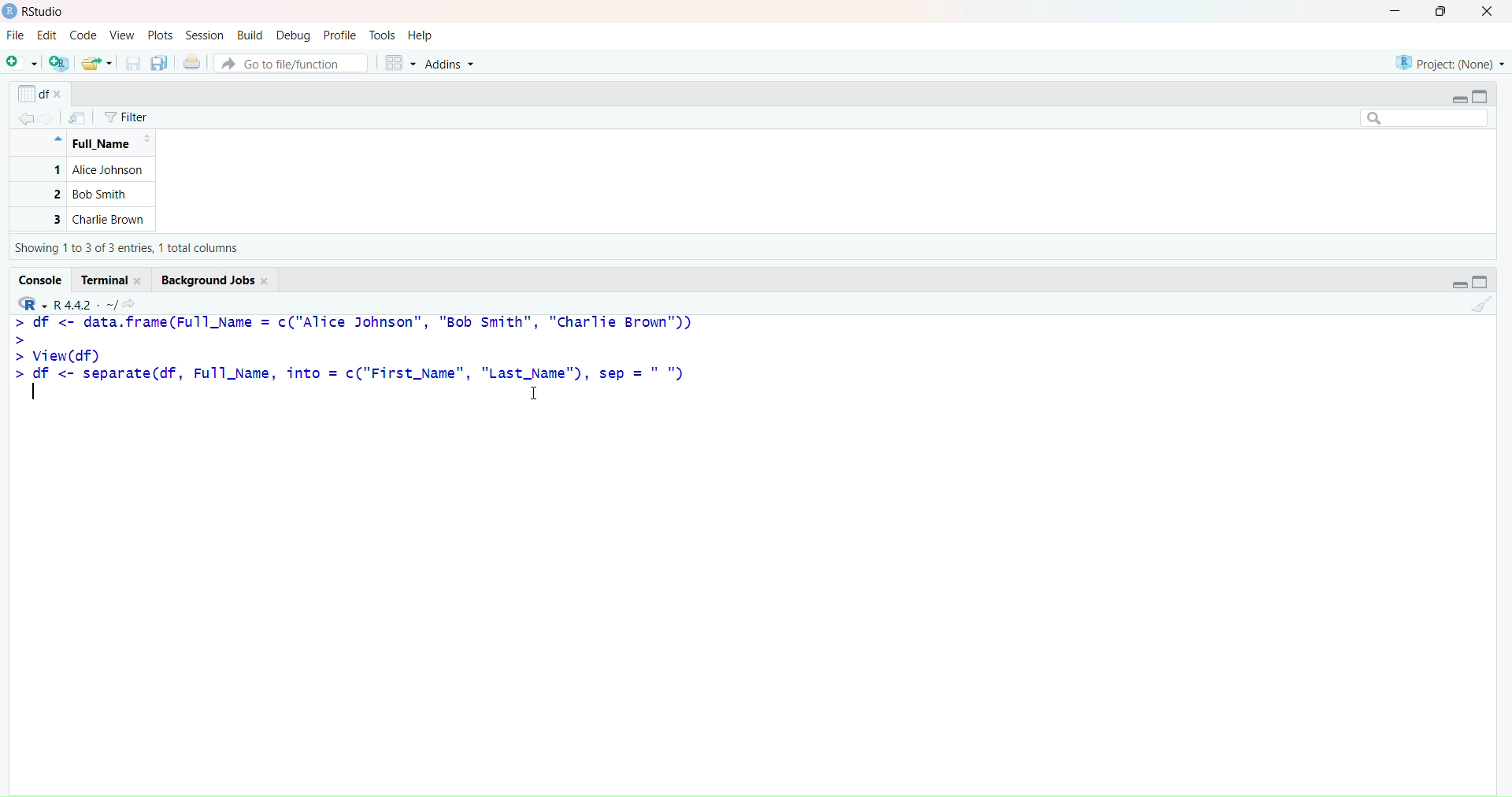 This screenshot has width=1512, height=797. What do you see at coordinates (421, 34) in the screenshot?
I see `Help` at bounding box center [421, 34].